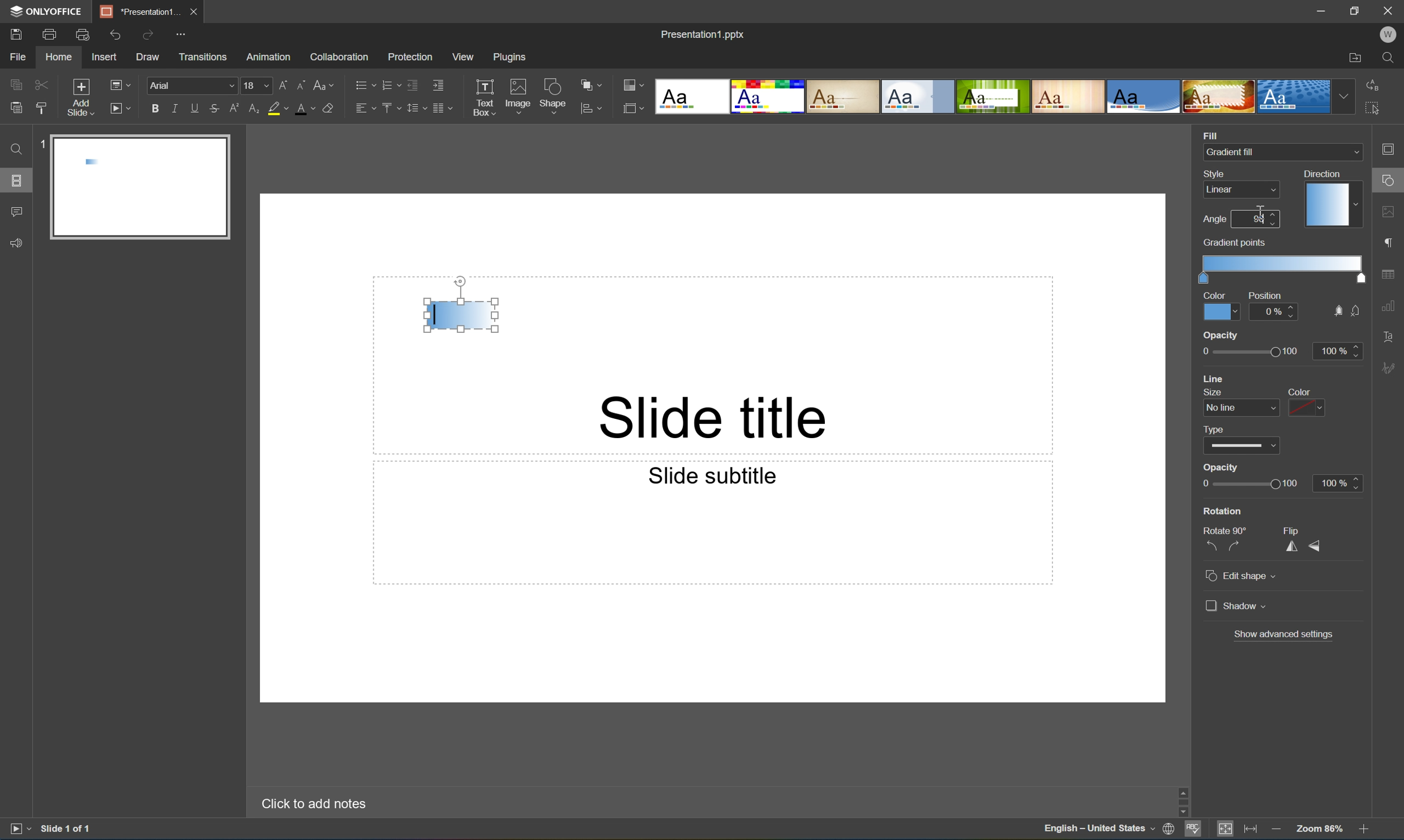 The height and width of the screenshot is (840, 1404). What do you see at coordinates (1325, 11) in the screenshot?
I see `Minimize` at bounding box center [1325, 11].